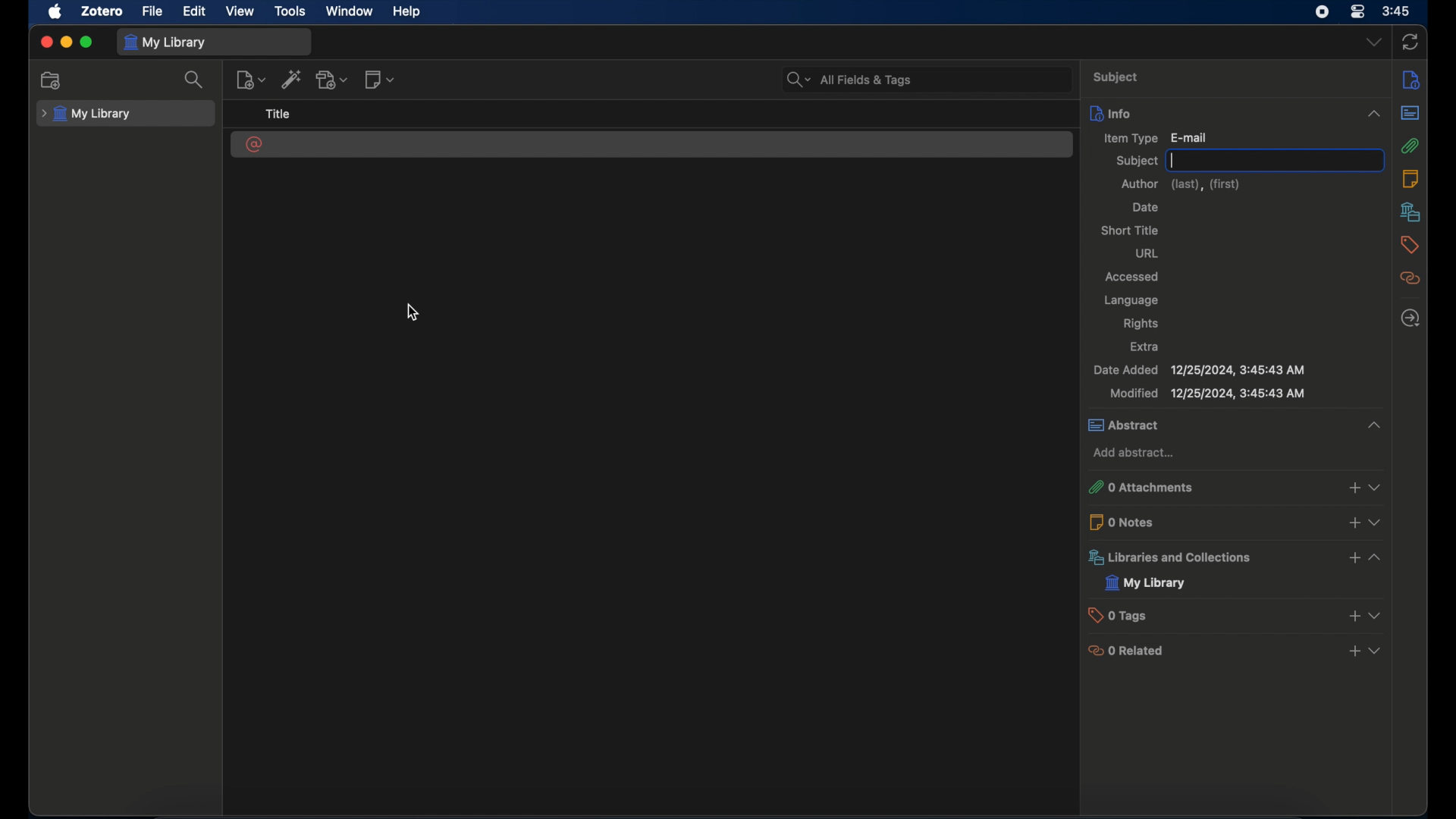 The height and width of the screenshot is (819, 1456). Describe the element at coordinates (1118, 78) in the screenshot. I see `subject` at that location.